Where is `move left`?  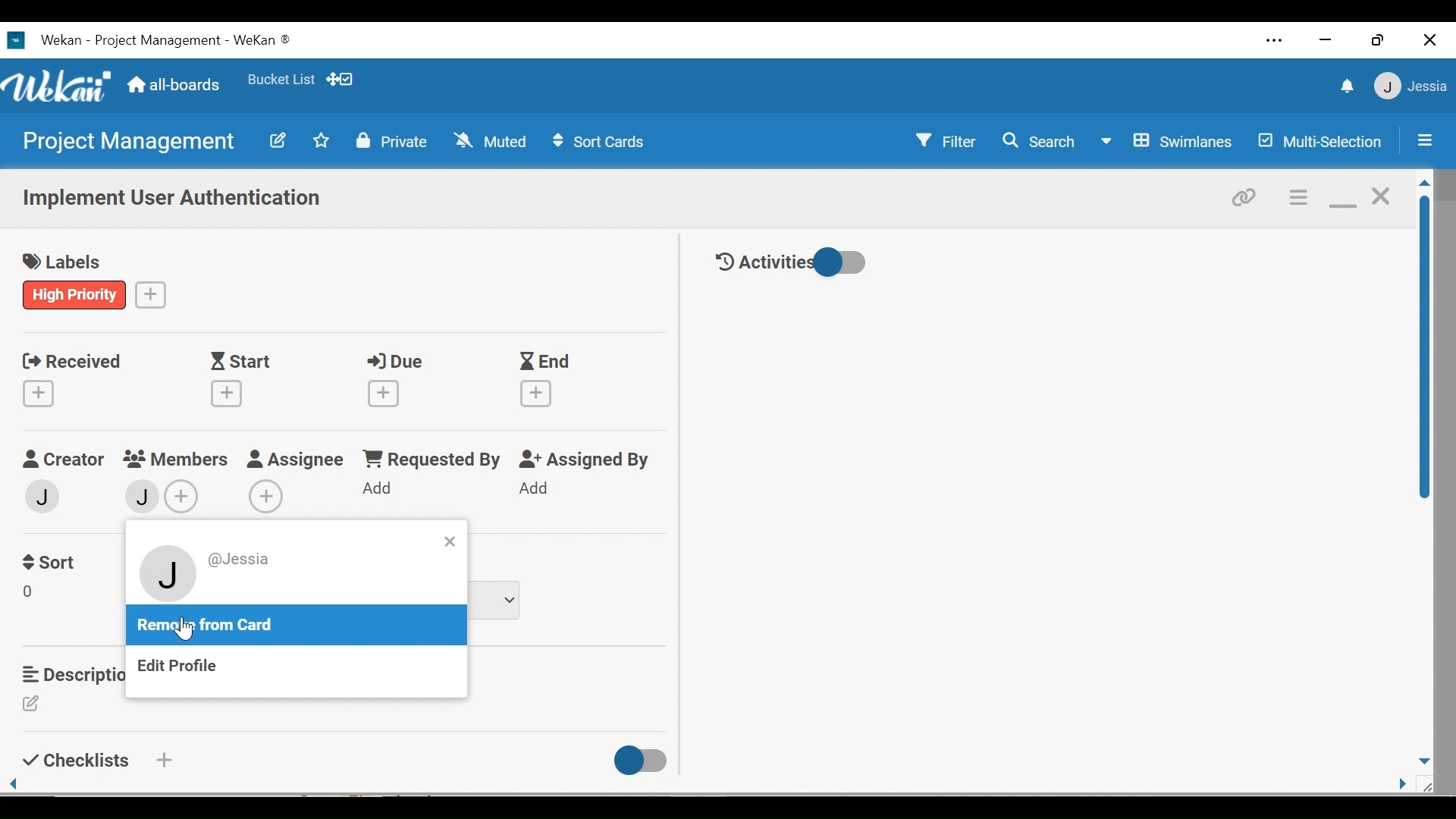
move left is located at coordinates (14, 785).